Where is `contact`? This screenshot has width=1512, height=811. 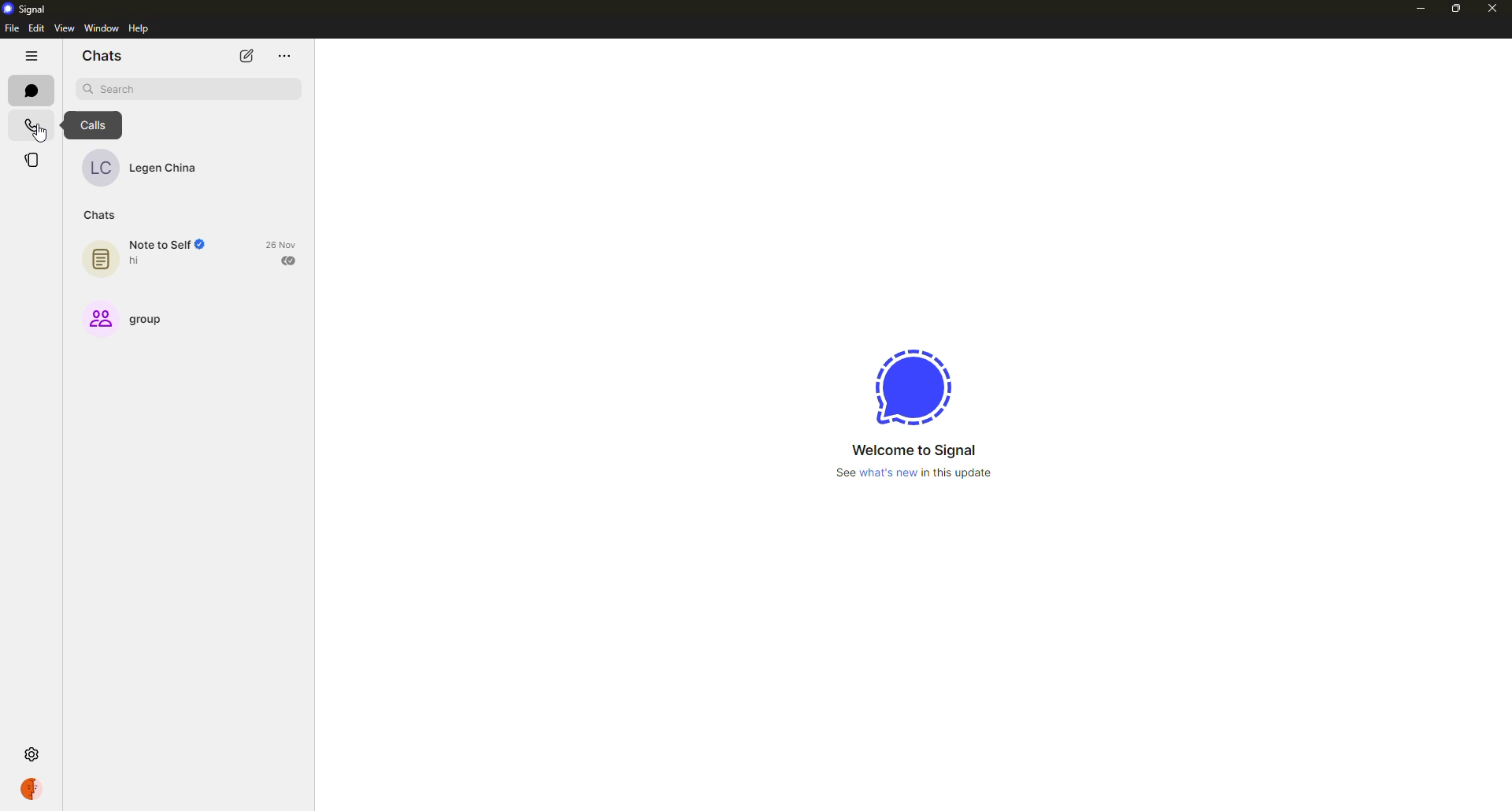
contact is located at coordinates (146, 168).